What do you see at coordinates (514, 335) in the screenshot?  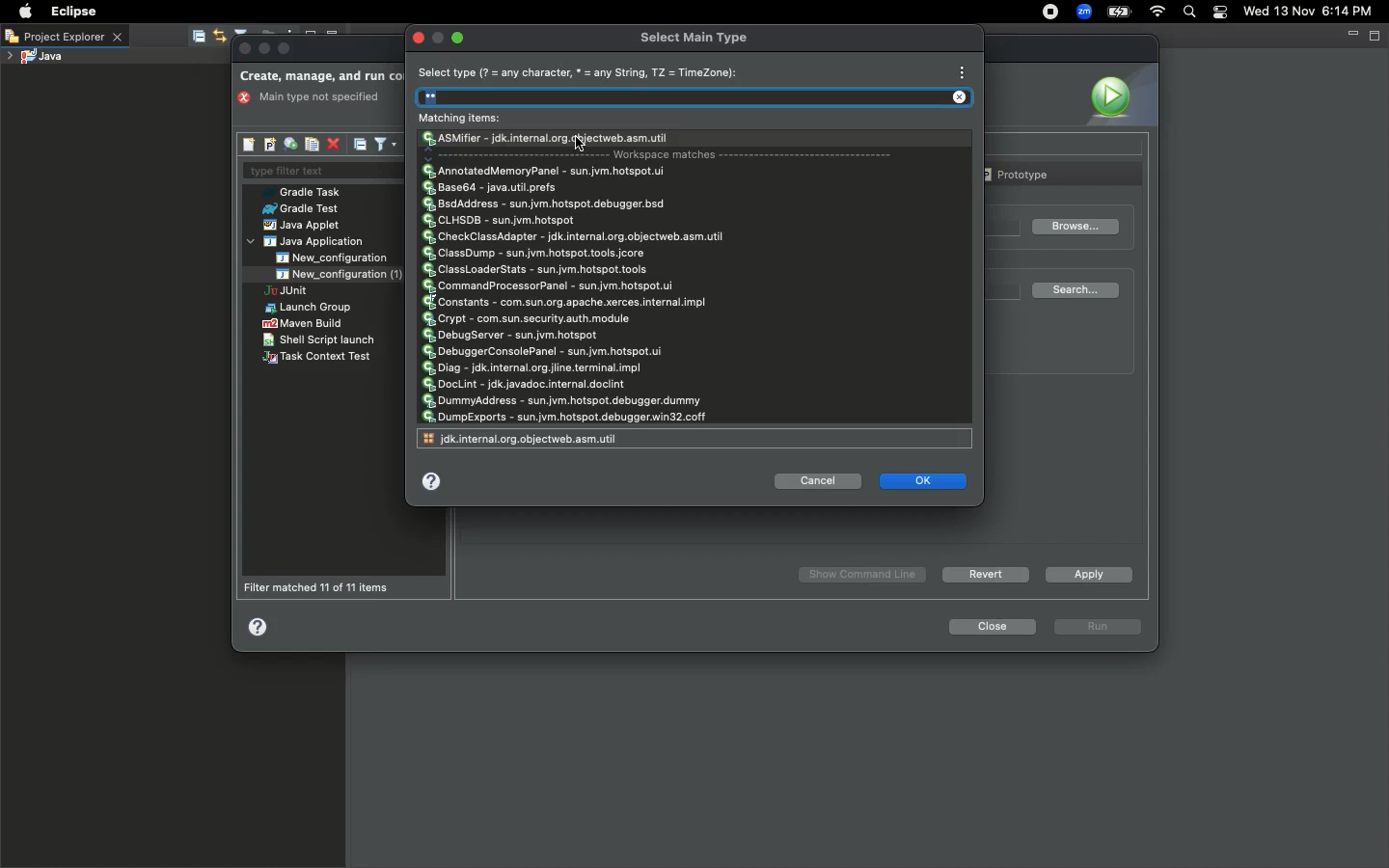 I see `DebugServer - sun.jvm.hotspot` at bounding box center [514, 335].